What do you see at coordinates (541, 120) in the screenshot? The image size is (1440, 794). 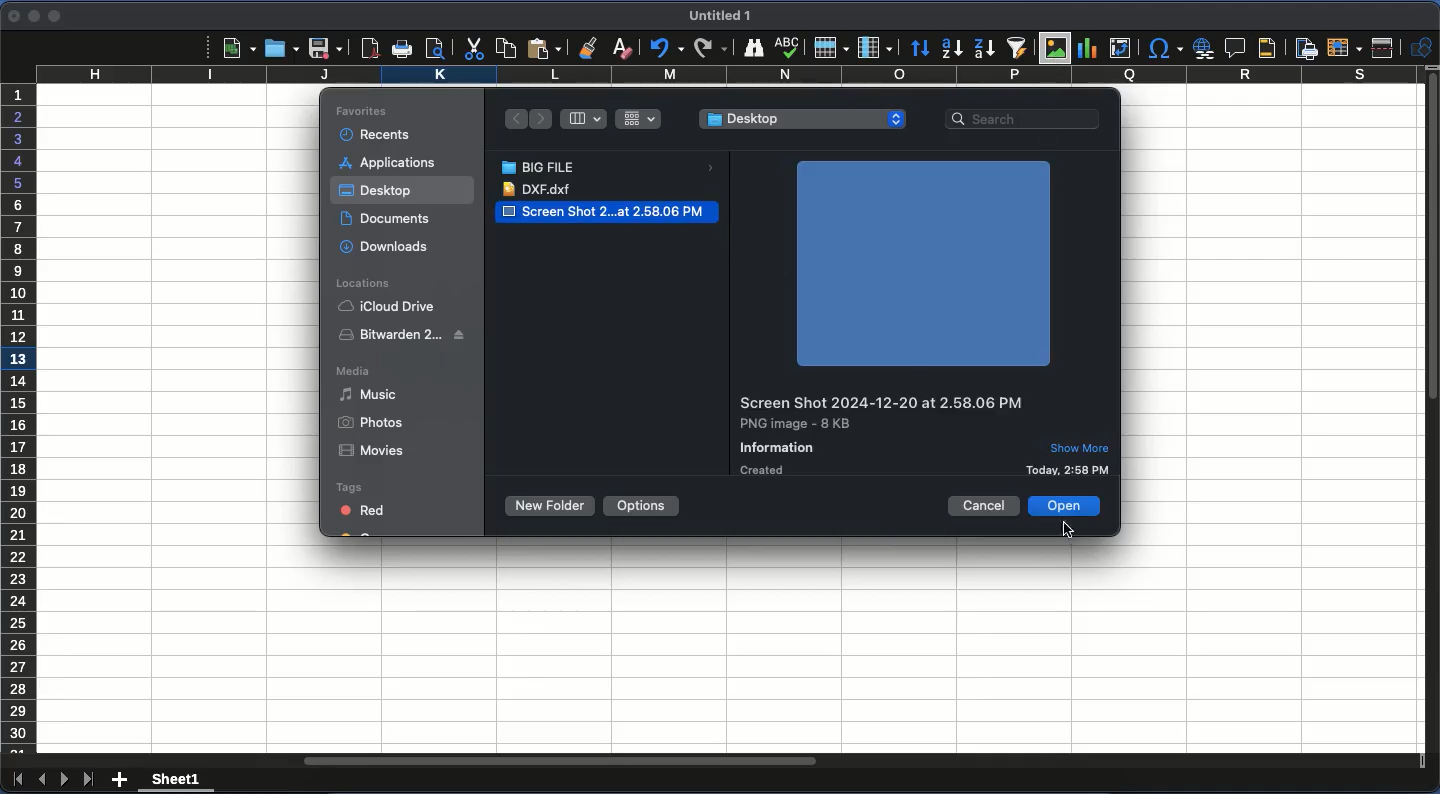 I see `forward` at bounding box center [541, 120].